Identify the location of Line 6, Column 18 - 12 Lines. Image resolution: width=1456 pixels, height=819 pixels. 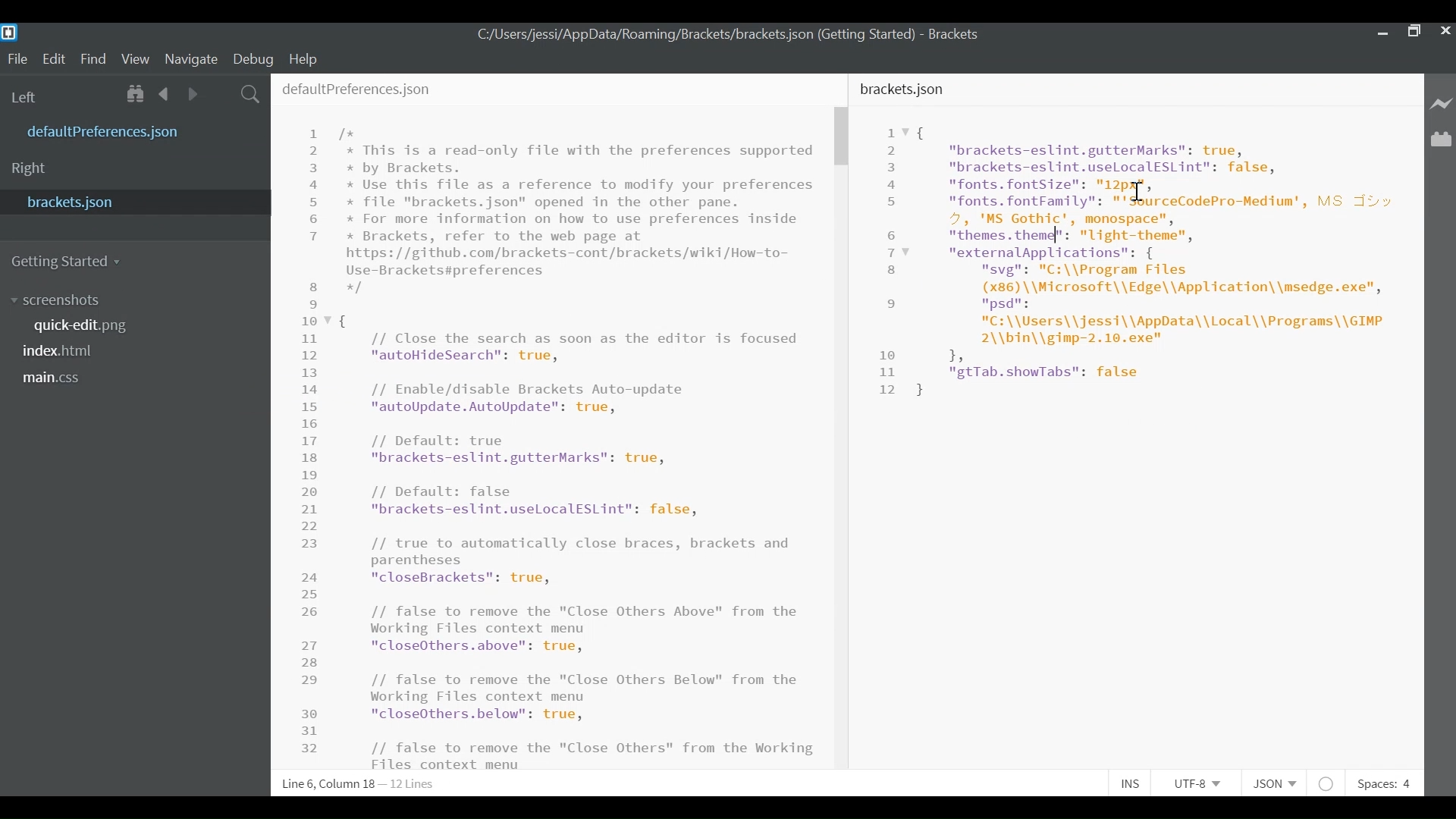
(361, 784).